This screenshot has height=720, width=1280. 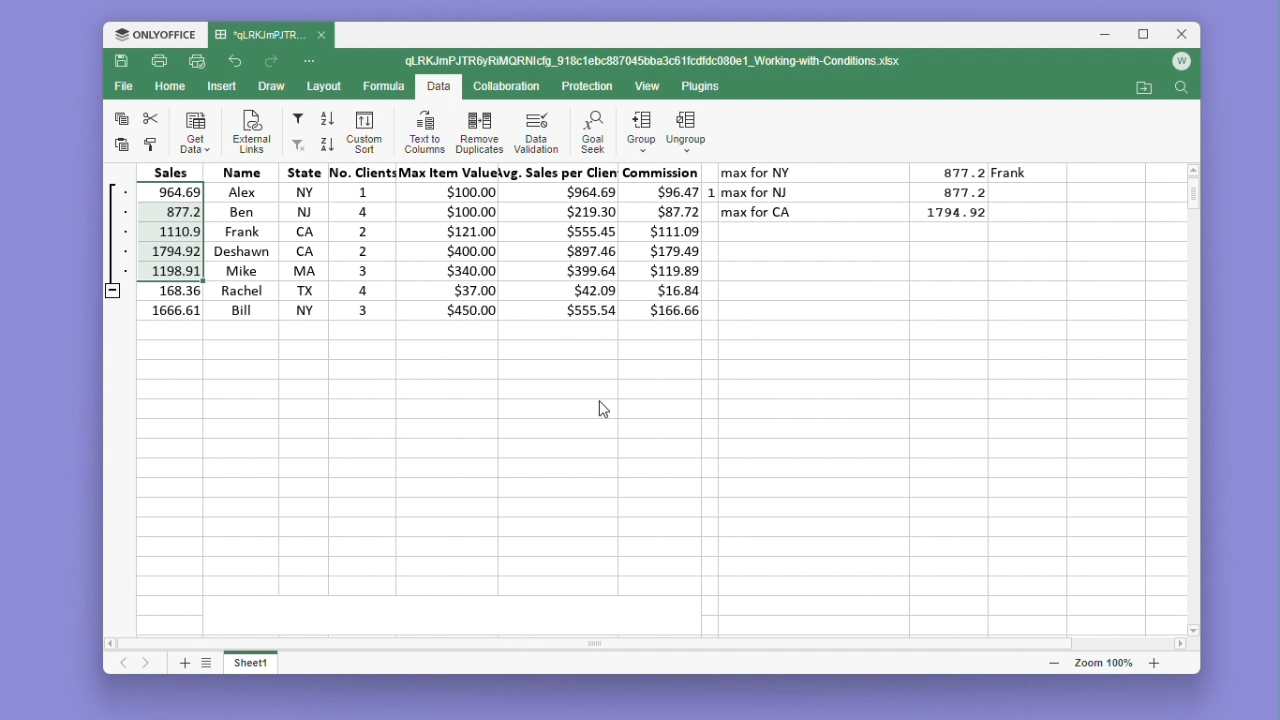 I want to click on cut, so click(x=151, y=118).